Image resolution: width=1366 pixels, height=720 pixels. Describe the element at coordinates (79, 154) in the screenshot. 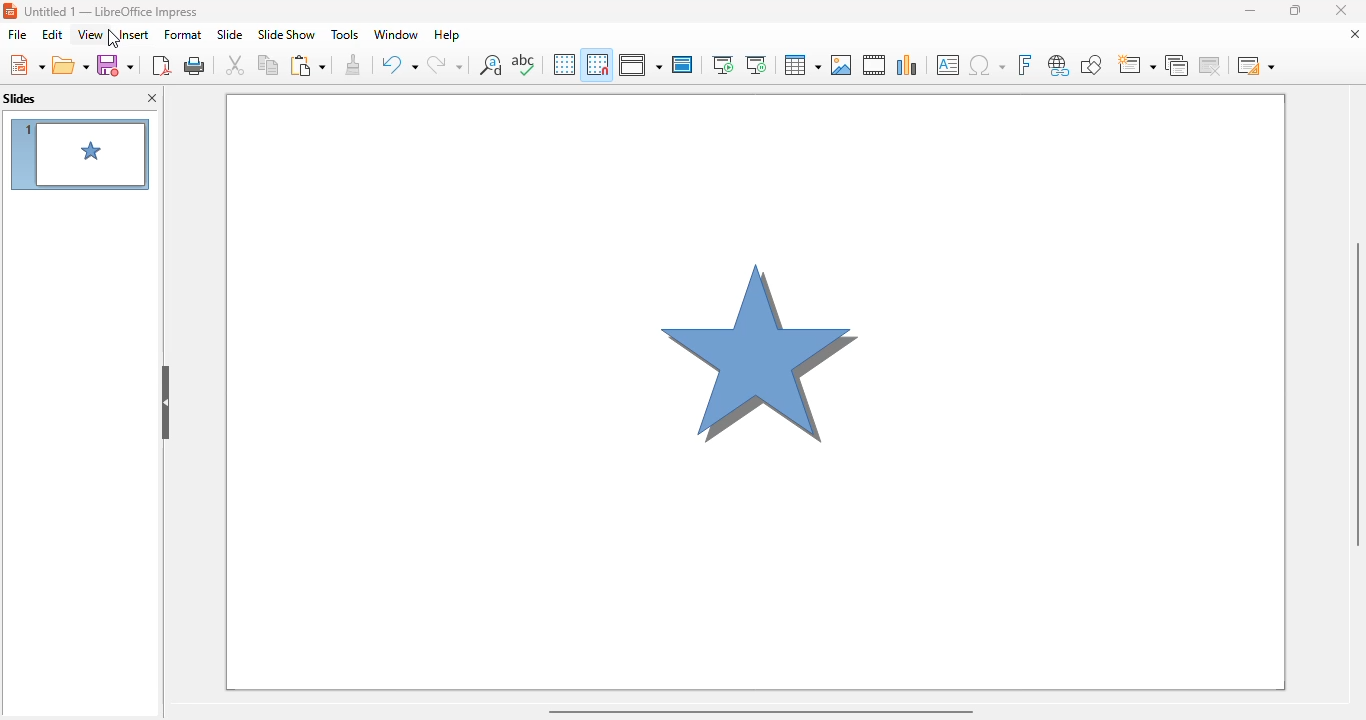

I see `slide 1` at that location.